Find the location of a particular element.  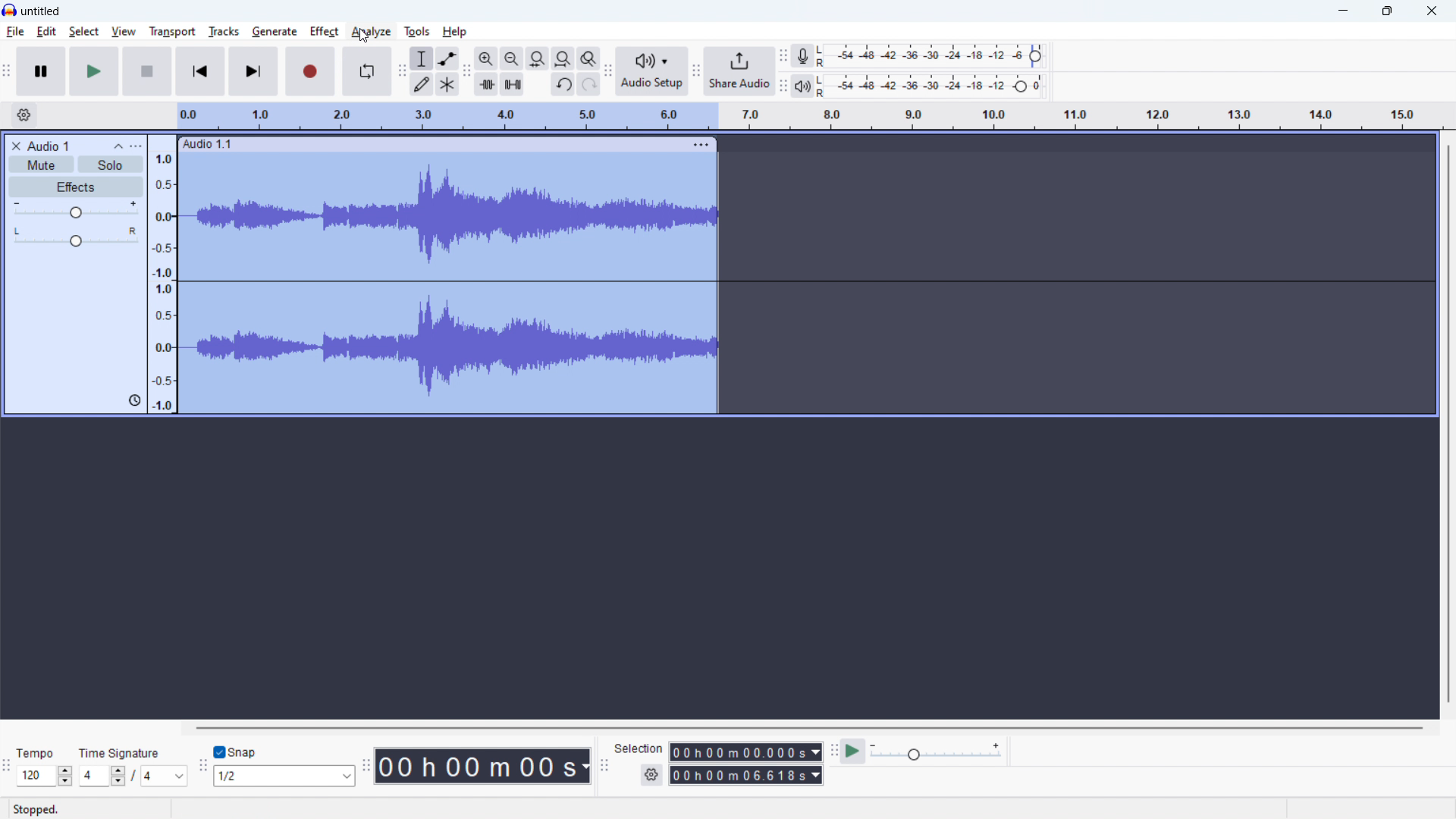

envelop is located at coordinates (447, 58).